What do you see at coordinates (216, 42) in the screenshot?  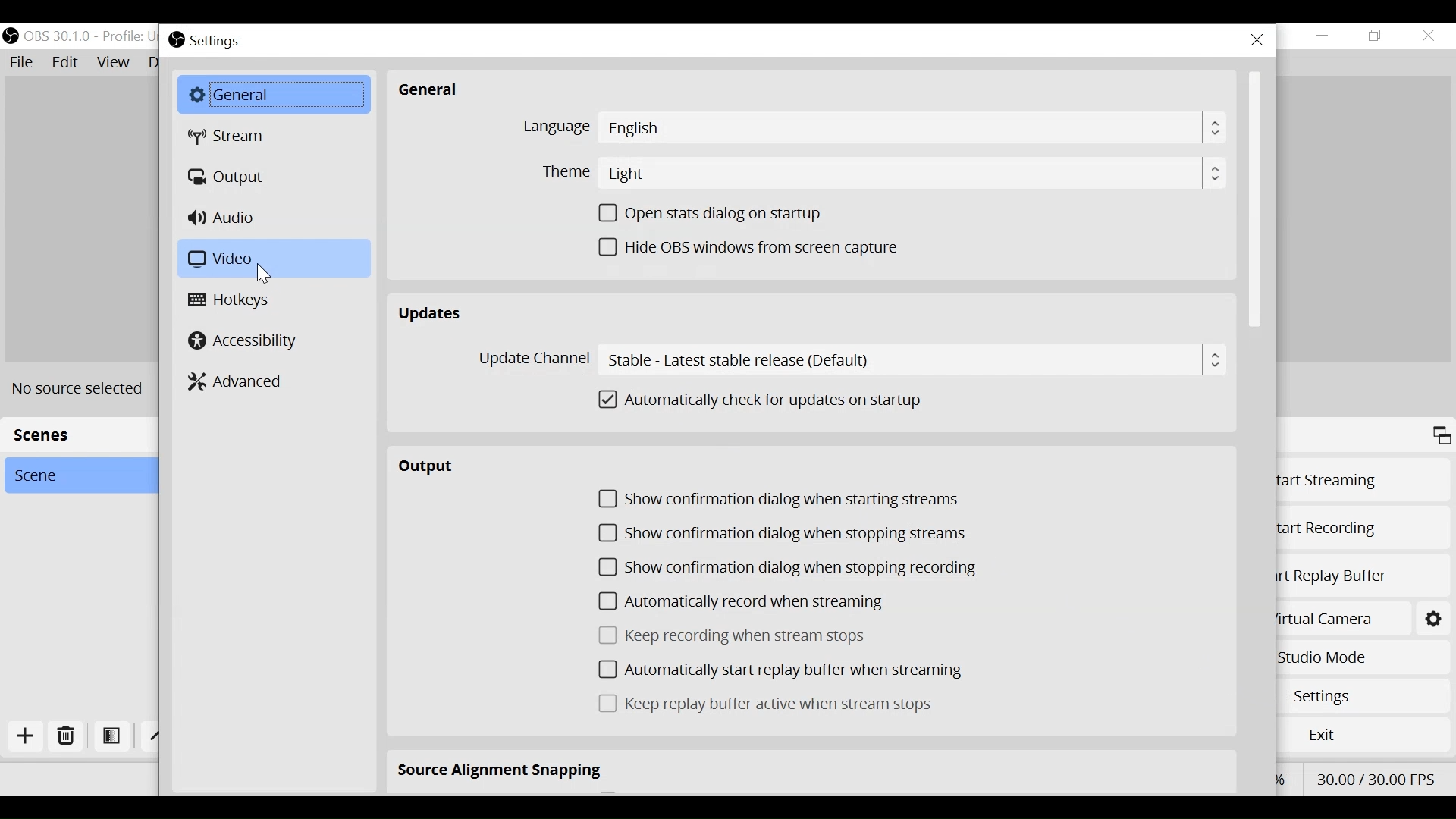 I see `Settings` at bounding box center [216, 42].